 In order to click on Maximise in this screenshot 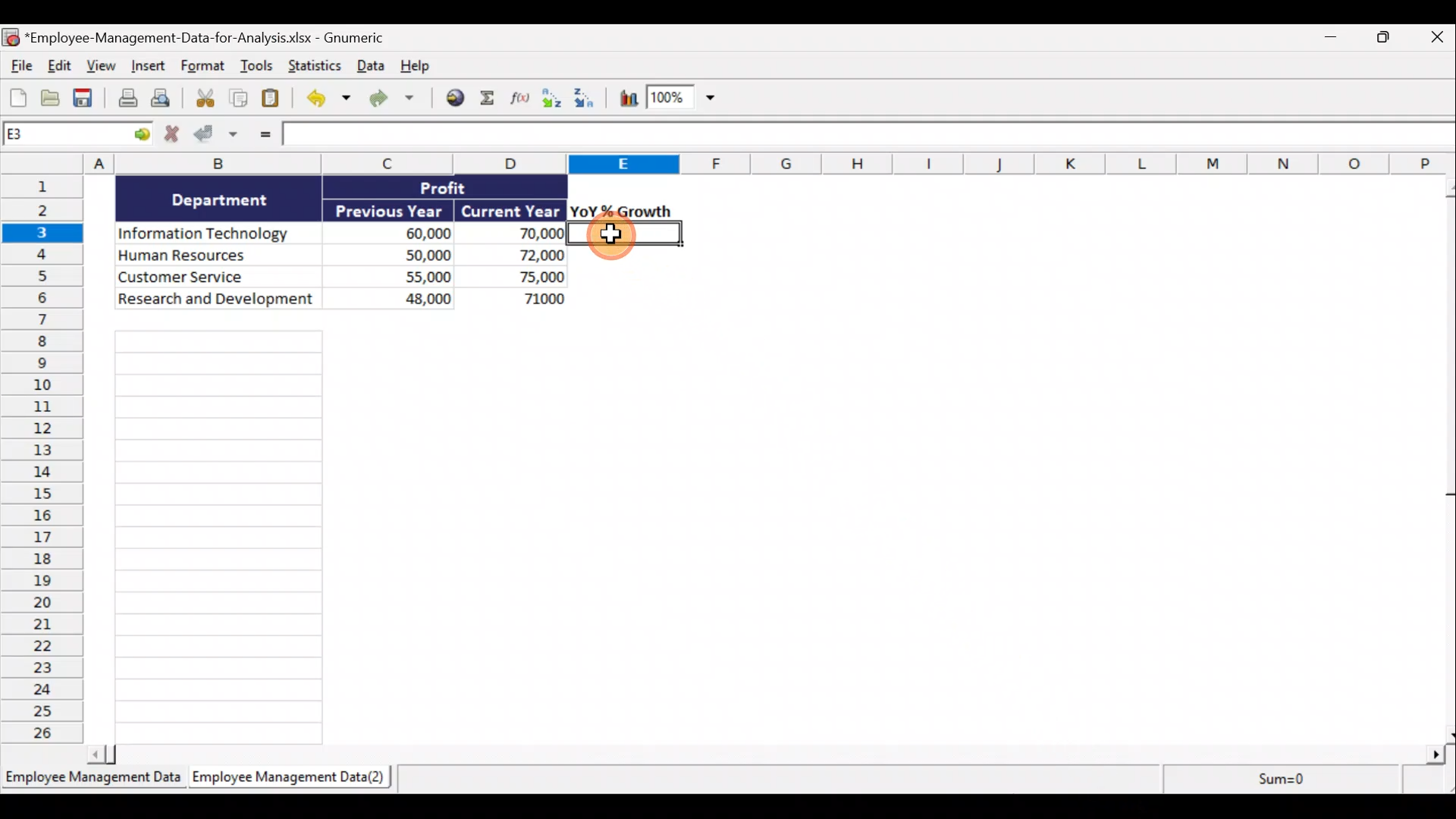, I will do `click(1389, 37)`.